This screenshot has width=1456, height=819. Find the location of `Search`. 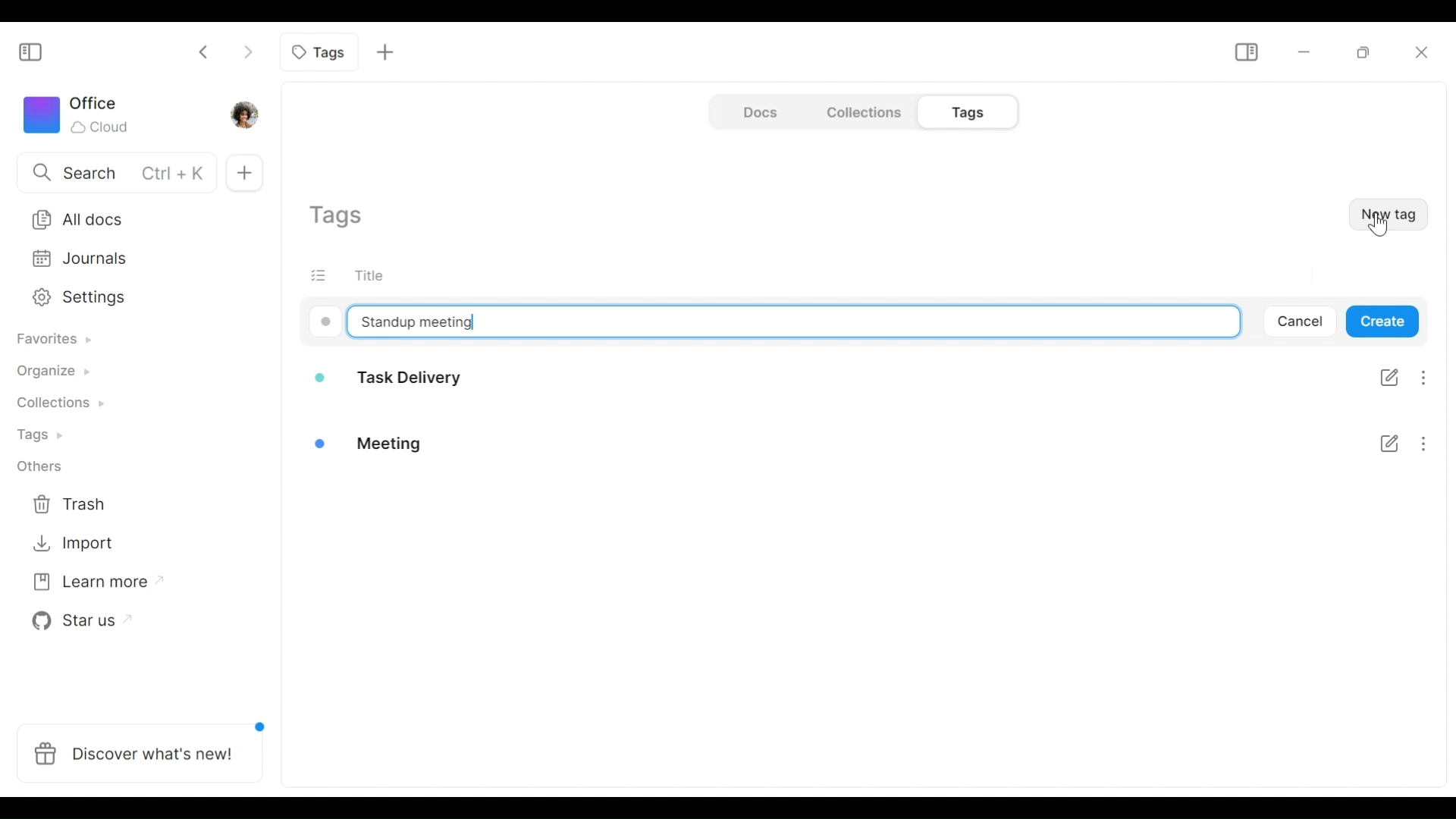

Search is located at coordinates (110, 174).